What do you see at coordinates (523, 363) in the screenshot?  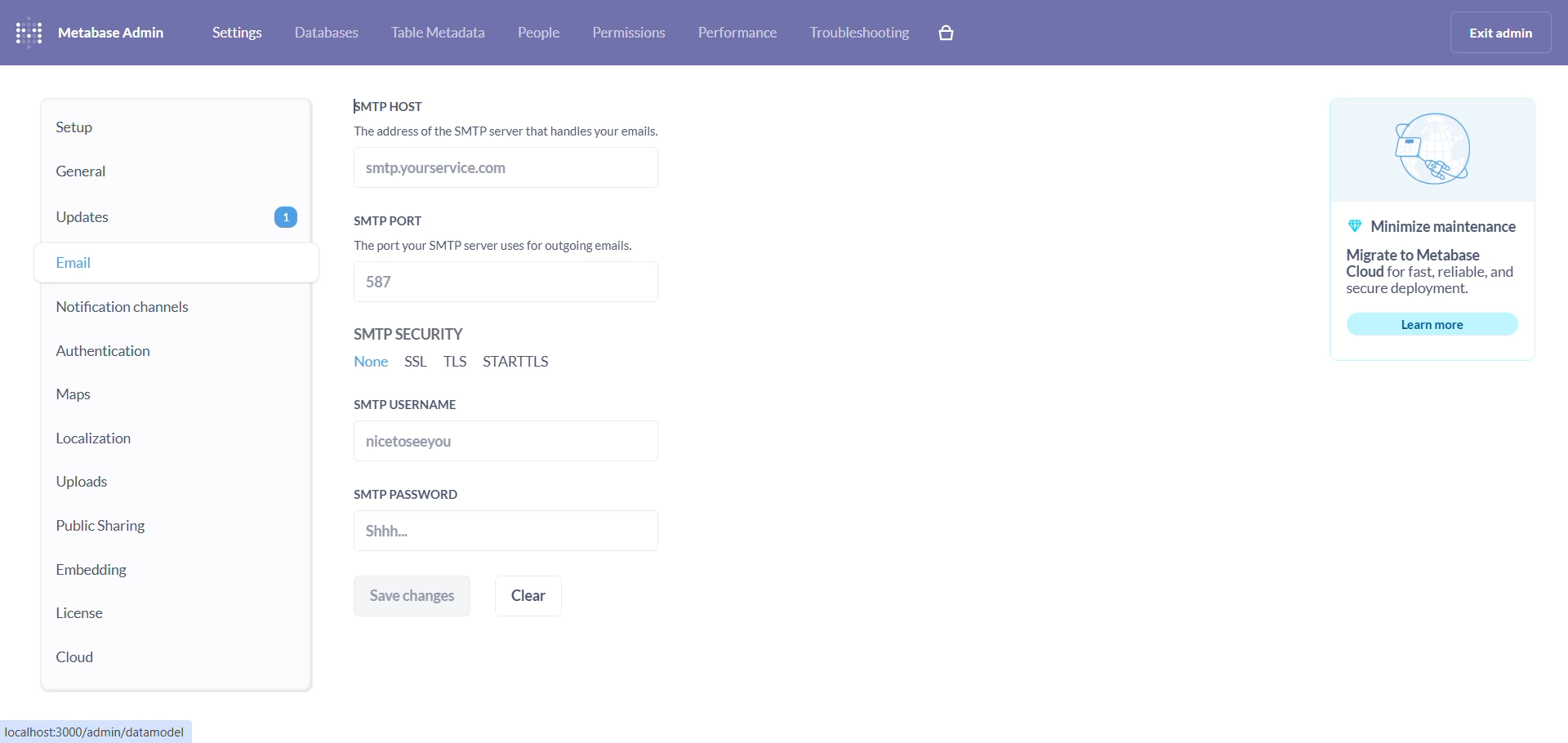 I see `STARTTLS` at bounding box center [523, 363].